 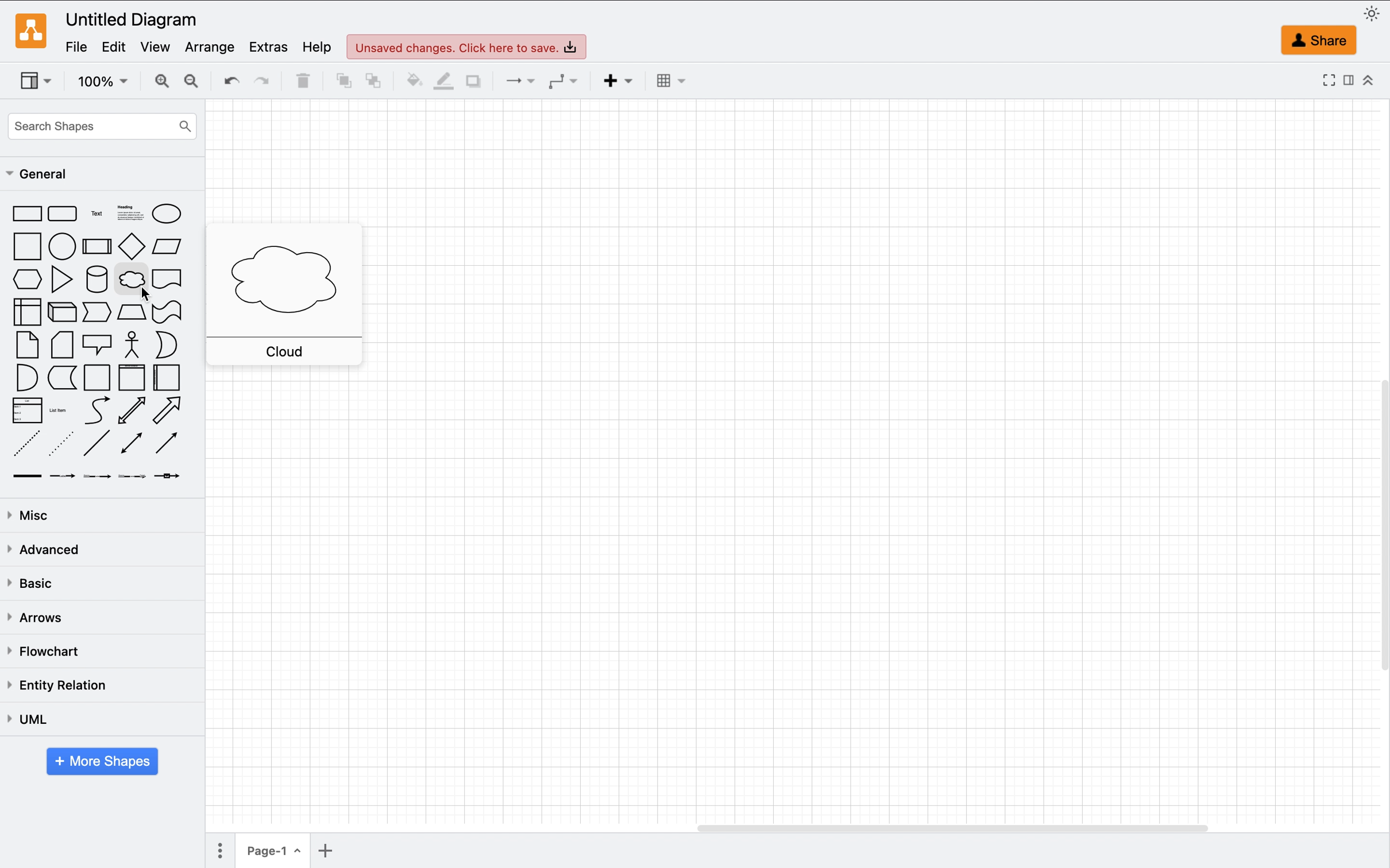 I want to click on untitled diagram, so click(x=132, y=17).